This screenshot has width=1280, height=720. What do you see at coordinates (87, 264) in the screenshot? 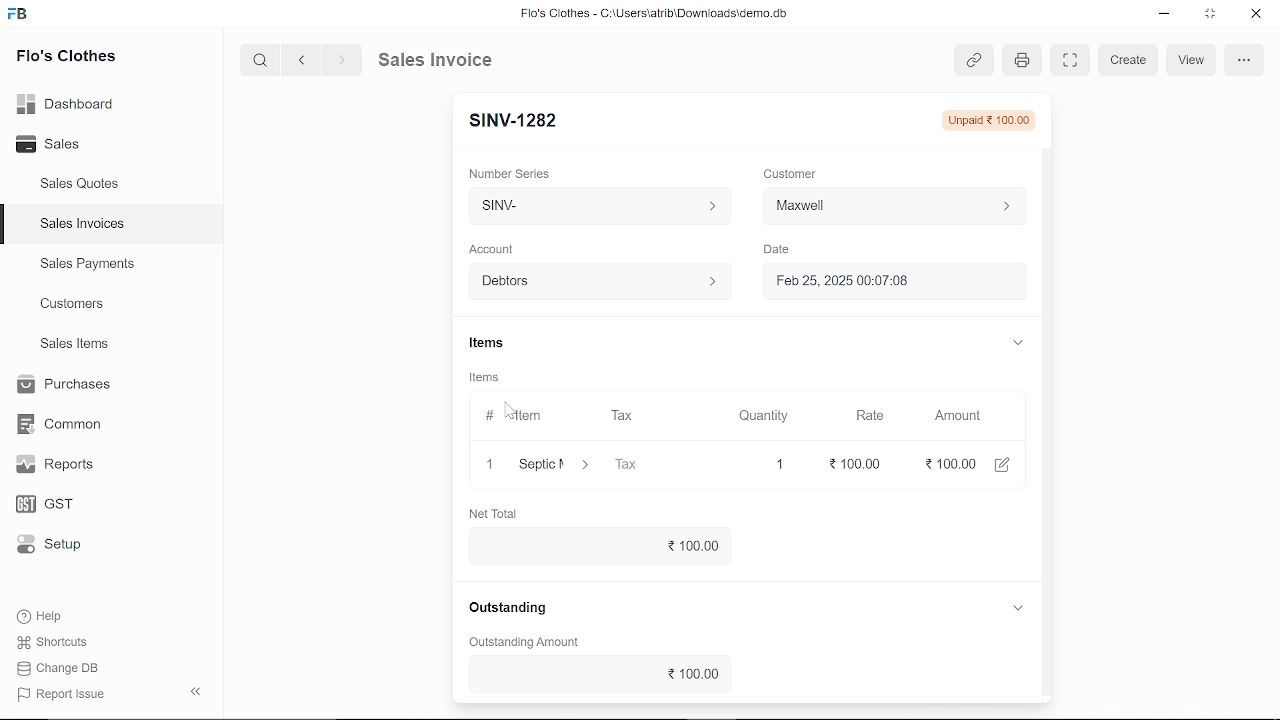
I see `Sales Payments` at bounding box center [87, 264].